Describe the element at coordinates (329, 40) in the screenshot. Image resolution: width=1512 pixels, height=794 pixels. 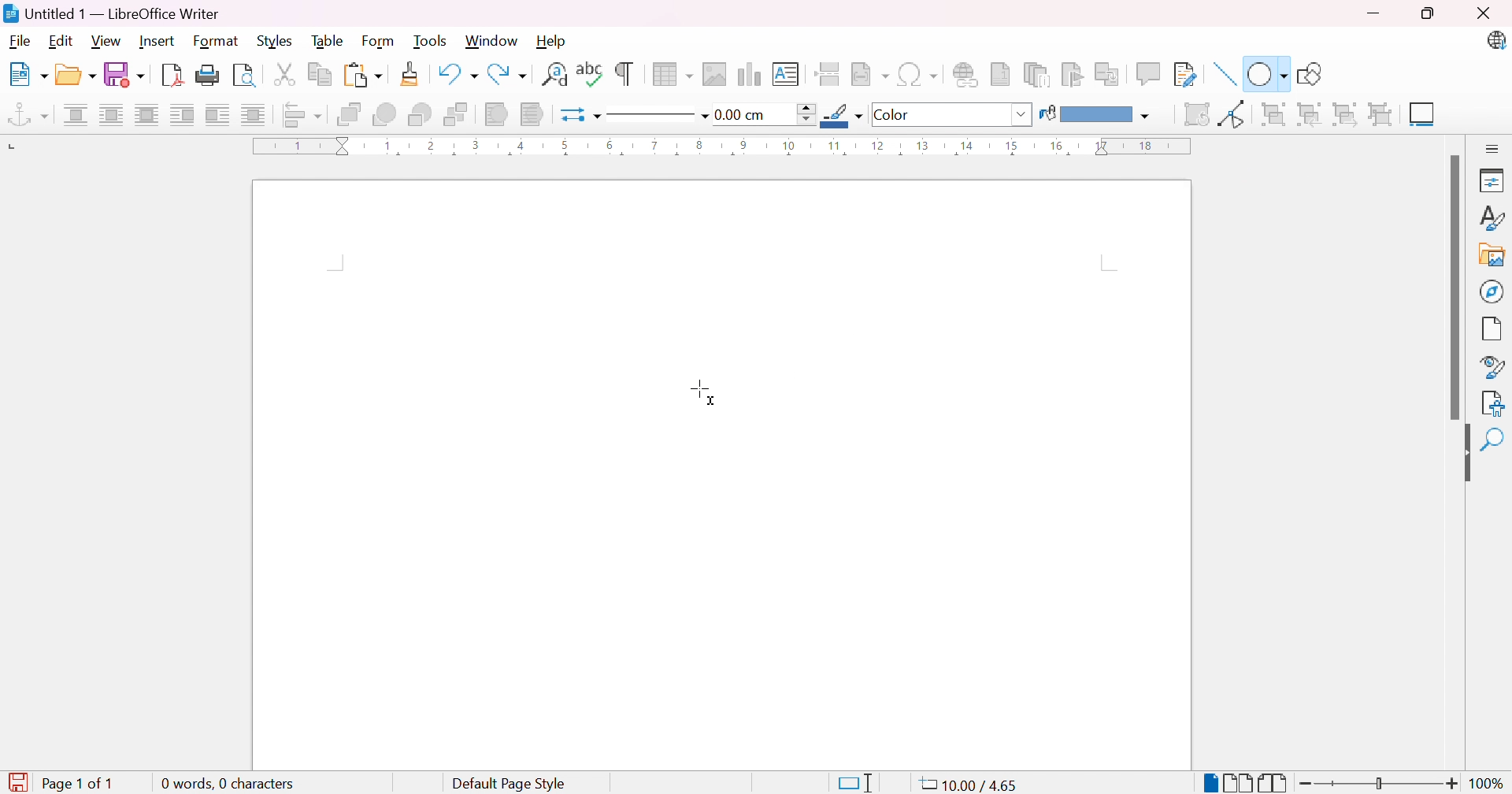
I see `Table` at that location.